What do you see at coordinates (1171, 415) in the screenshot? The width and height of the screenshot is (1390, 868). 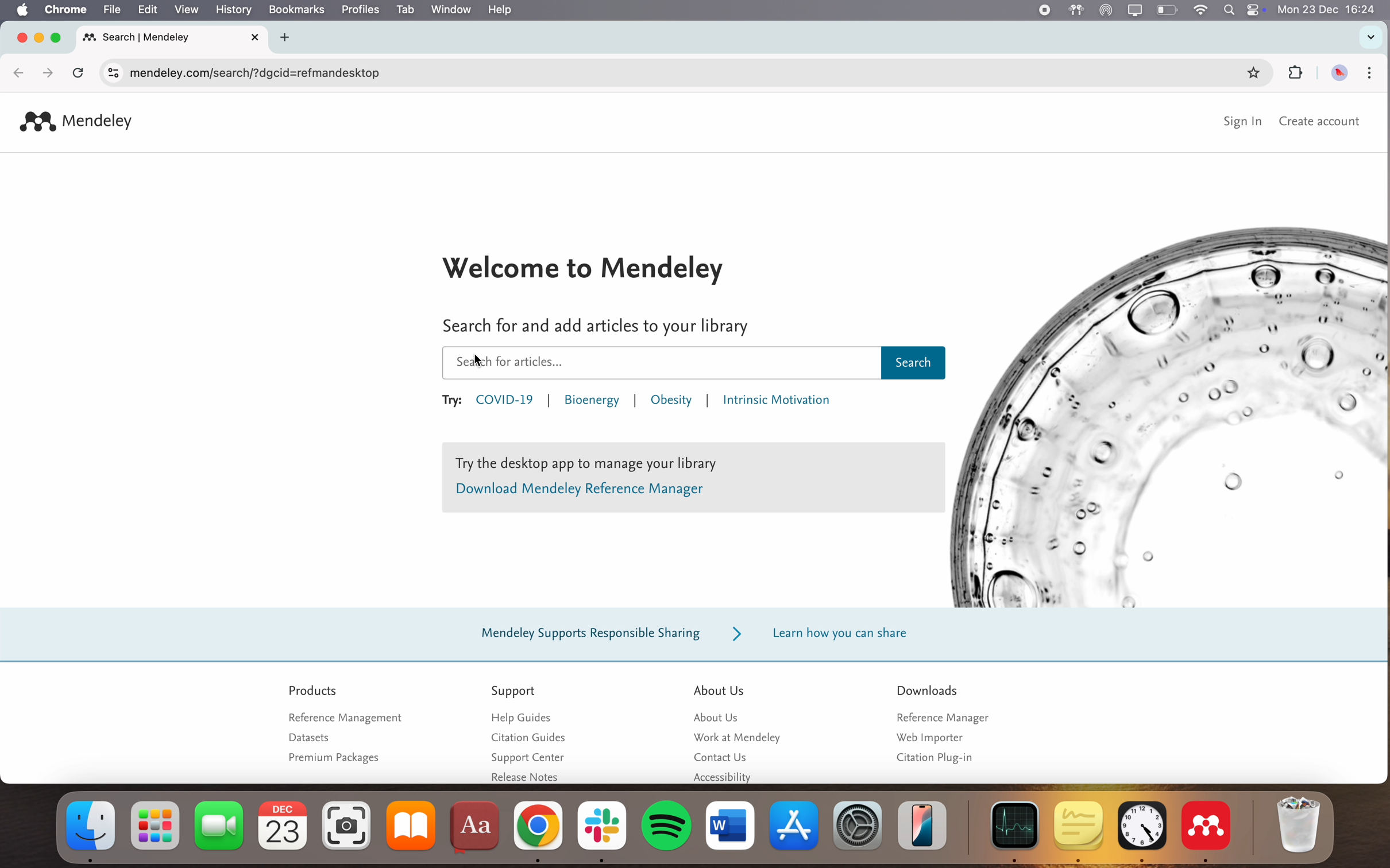 I see `image` at bounding box center [1171, 415].